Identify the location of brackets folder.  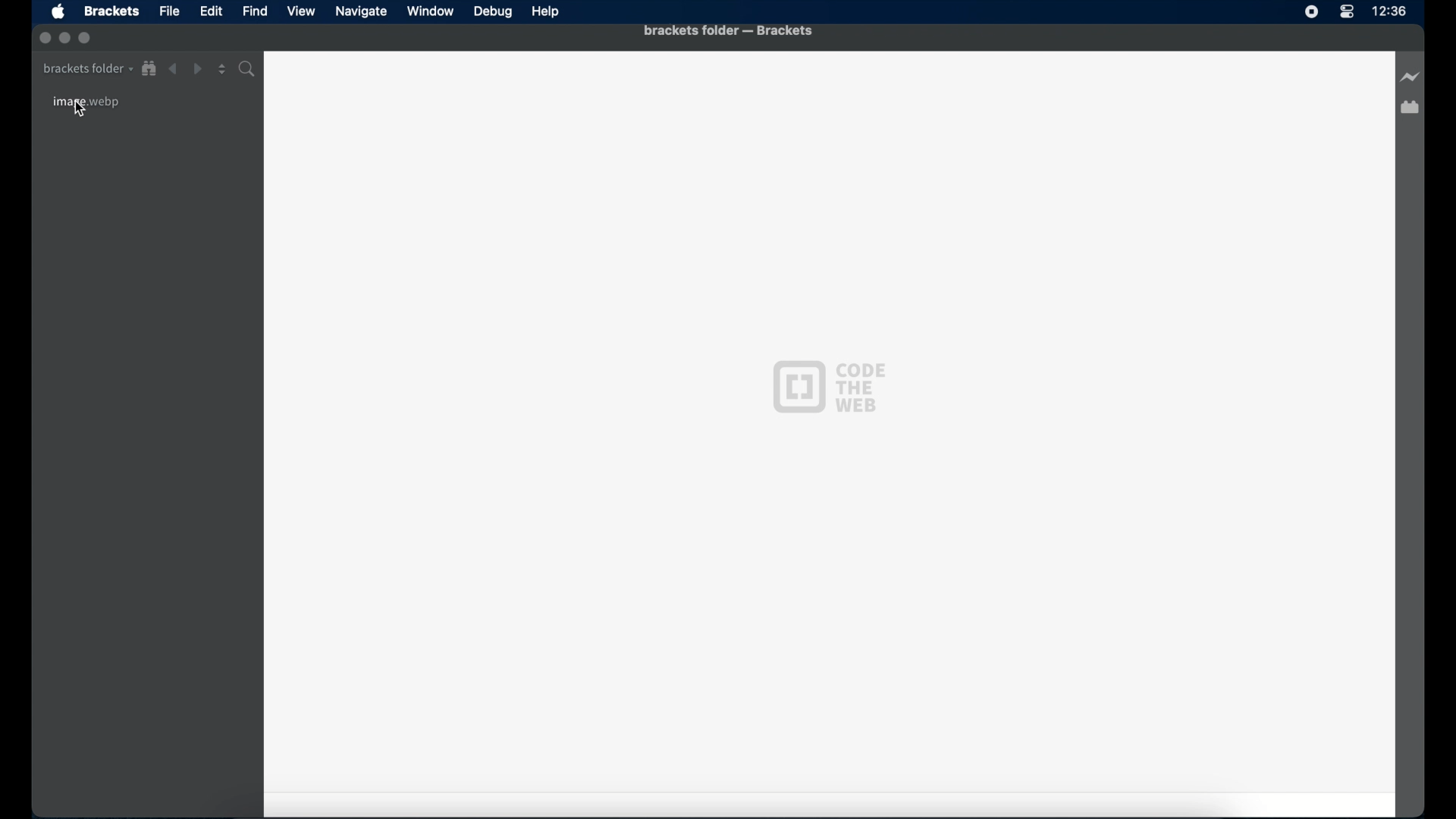
(88, 69).